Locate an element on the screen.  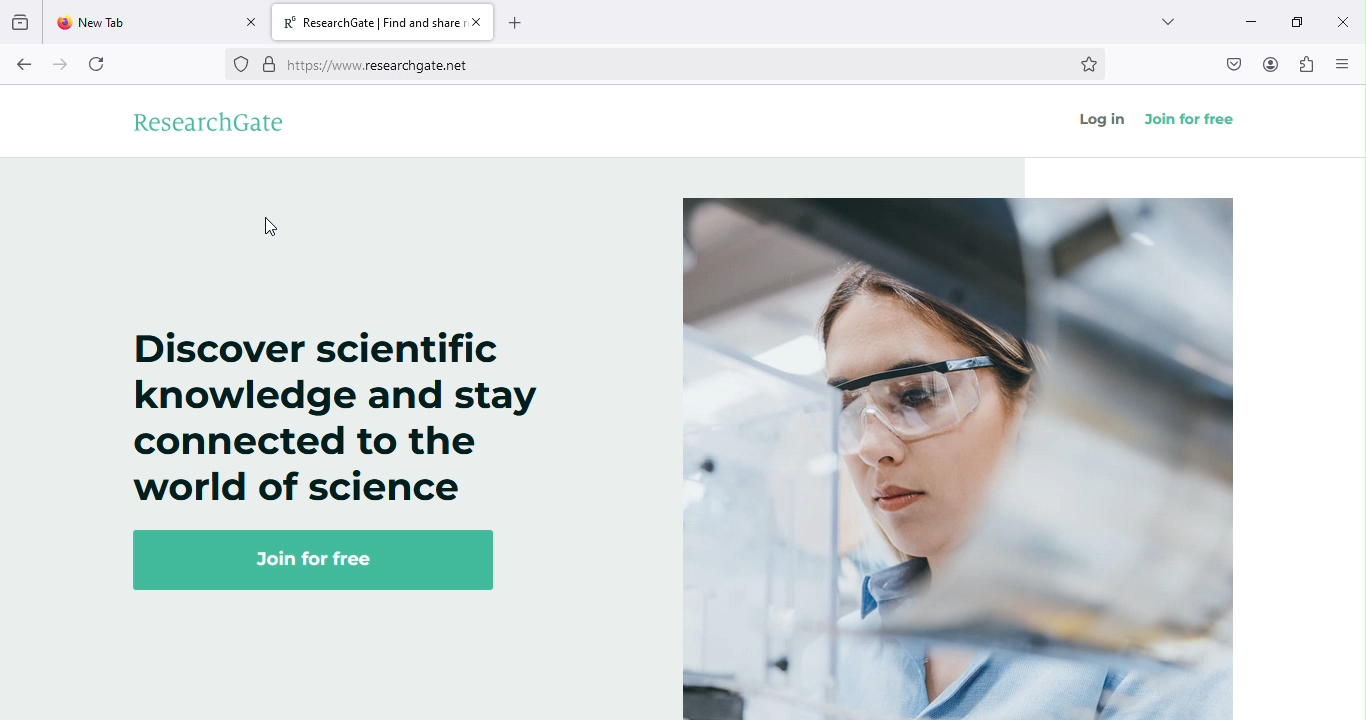
log in is located at coordinates (1104, 118).